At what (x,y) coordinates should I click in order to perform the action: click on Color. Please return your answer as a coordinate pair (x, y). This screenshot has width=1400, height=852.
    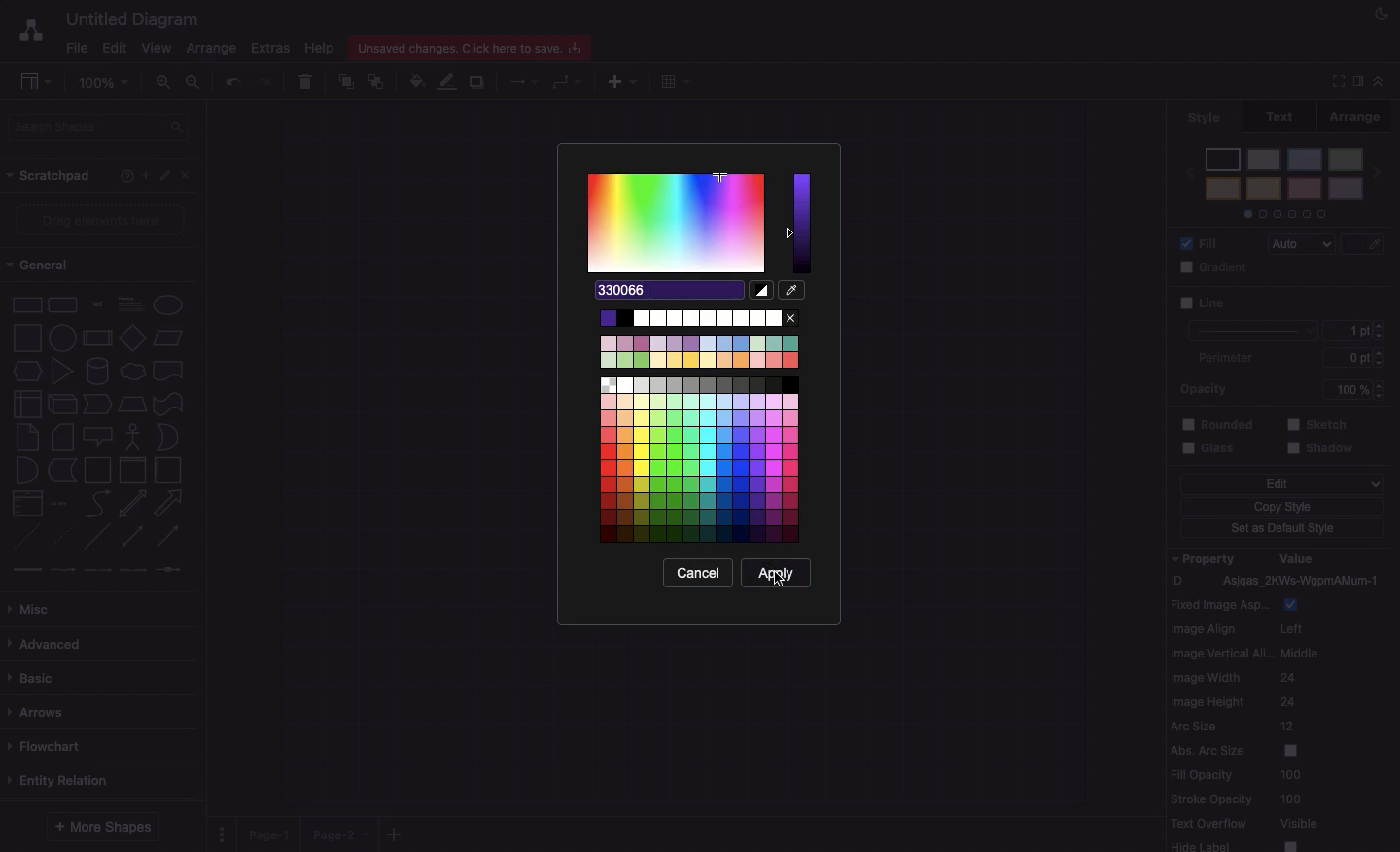
    Looking at the image, I should click on (1364, 303).